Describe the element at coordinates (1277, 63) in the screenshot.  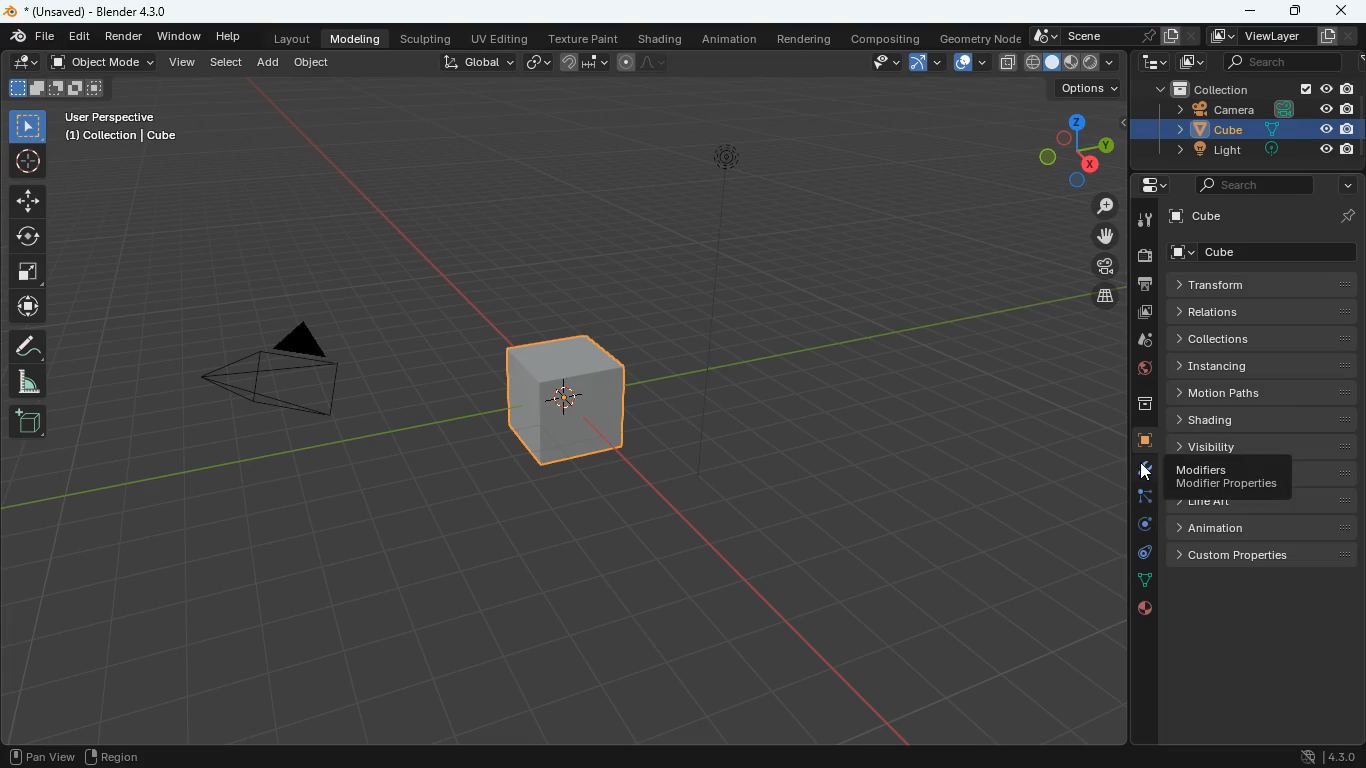
I see `search` at that location.